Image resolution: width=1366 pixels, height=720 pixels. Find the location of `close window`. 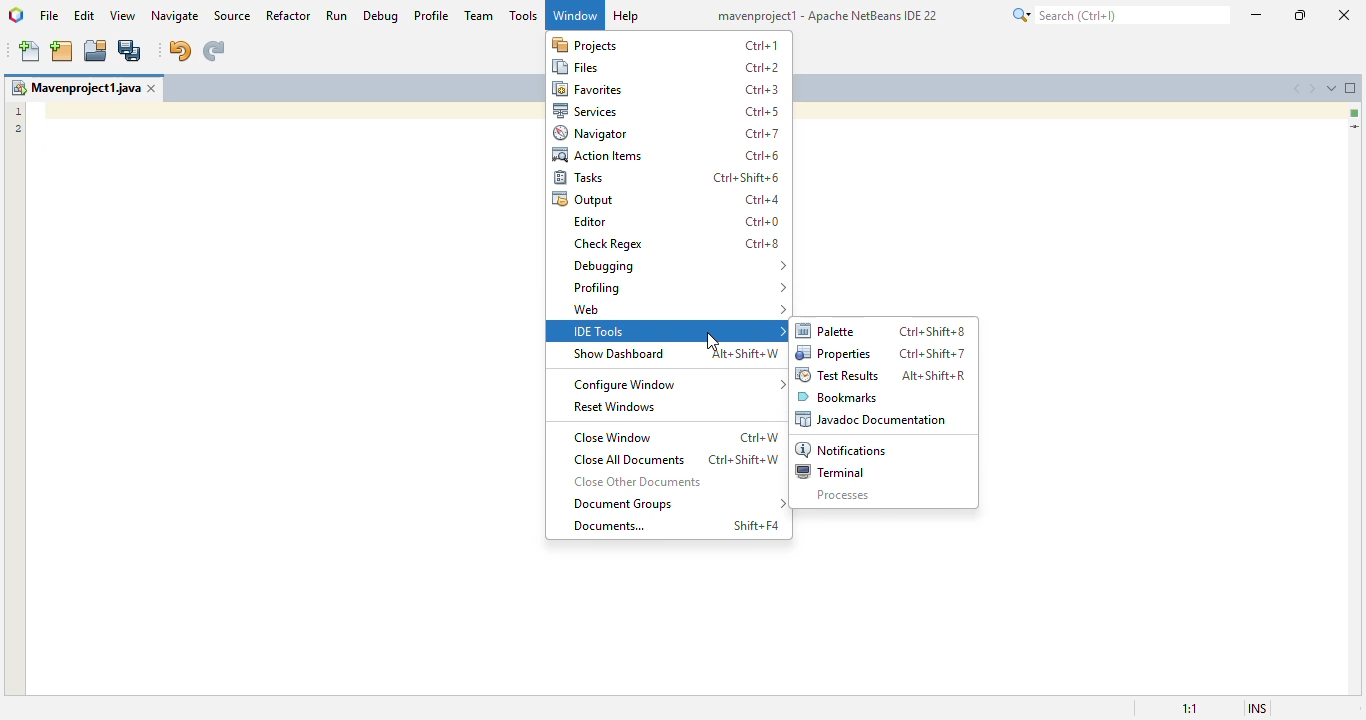

close window is located at coordinates (154, 88).